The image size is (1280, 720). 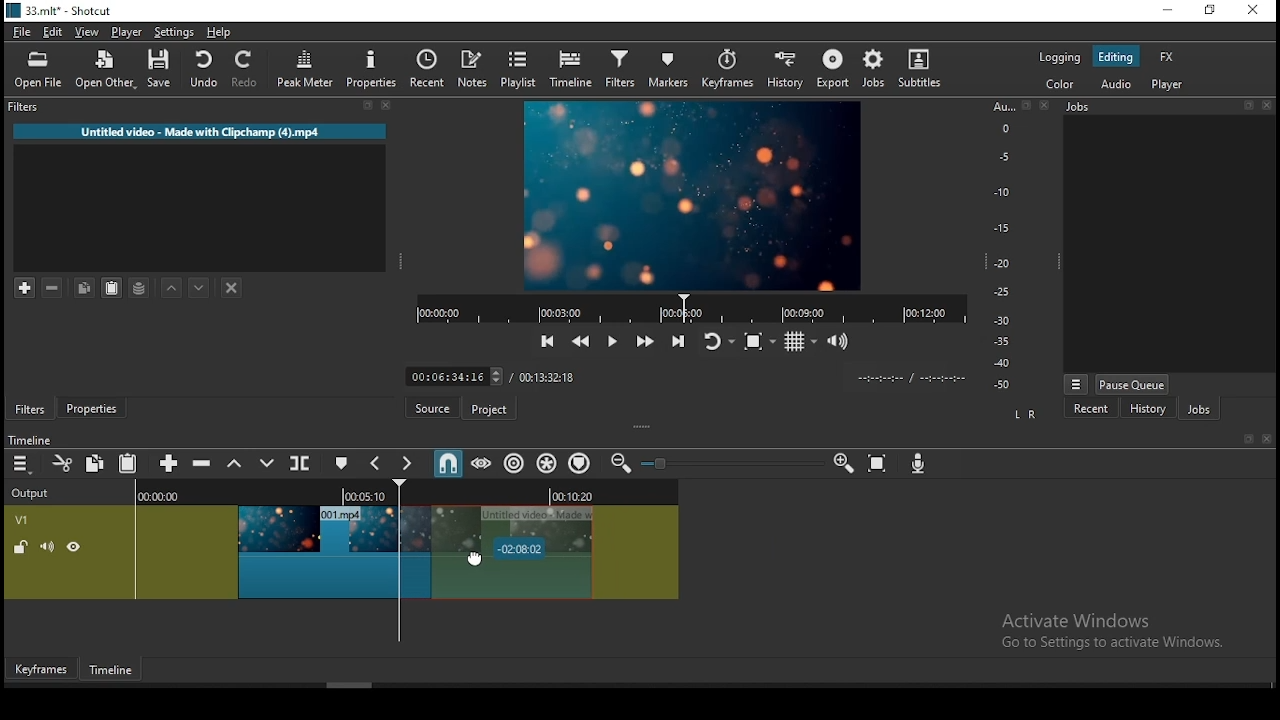 I want to click on save filter sets, so click(x=143, y=286).